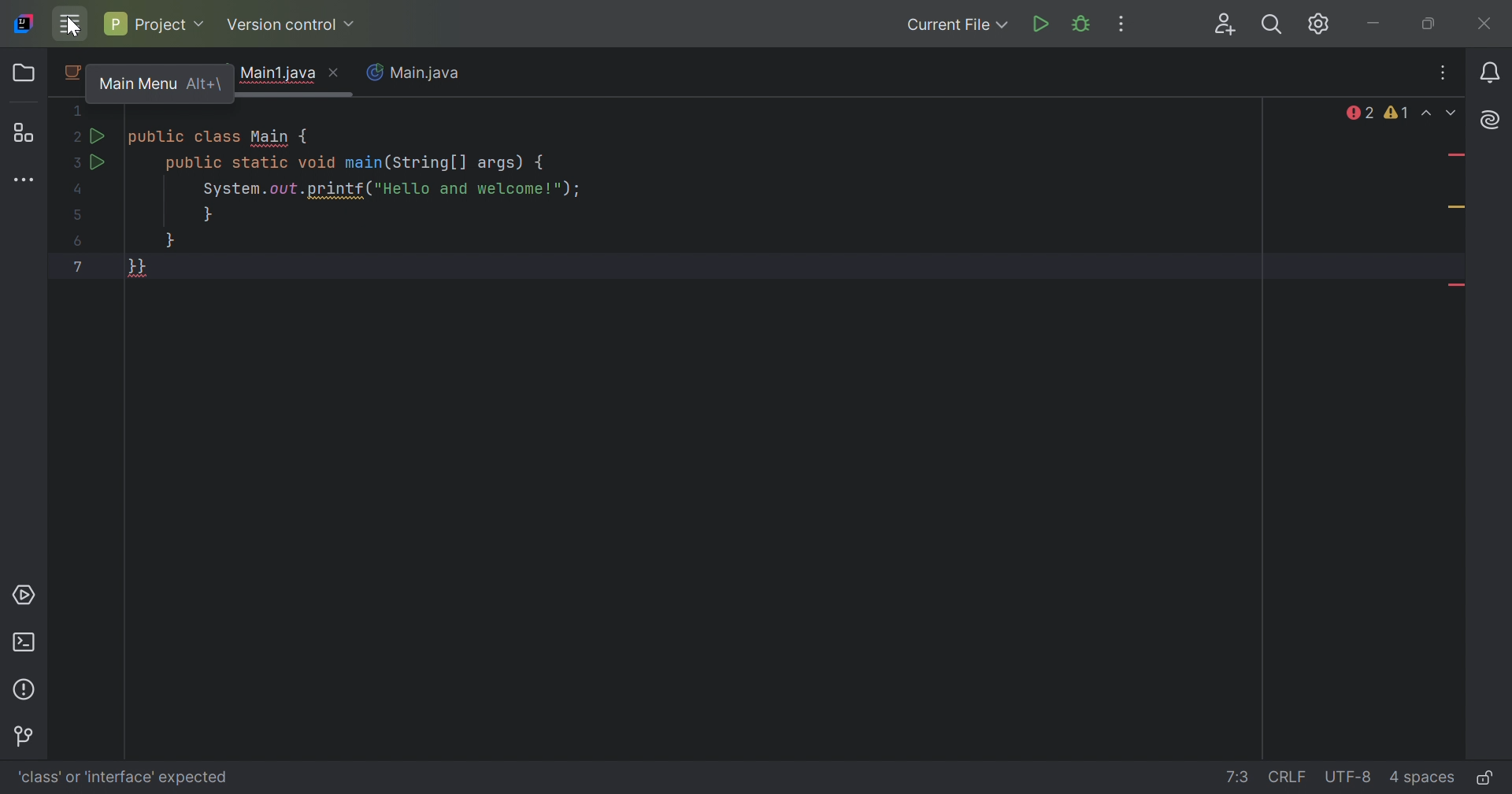 This screenshot has height=794, width=1512. Describe the element at coordinates (1082, 24) in the screenshot. I see `Debug` at that location.